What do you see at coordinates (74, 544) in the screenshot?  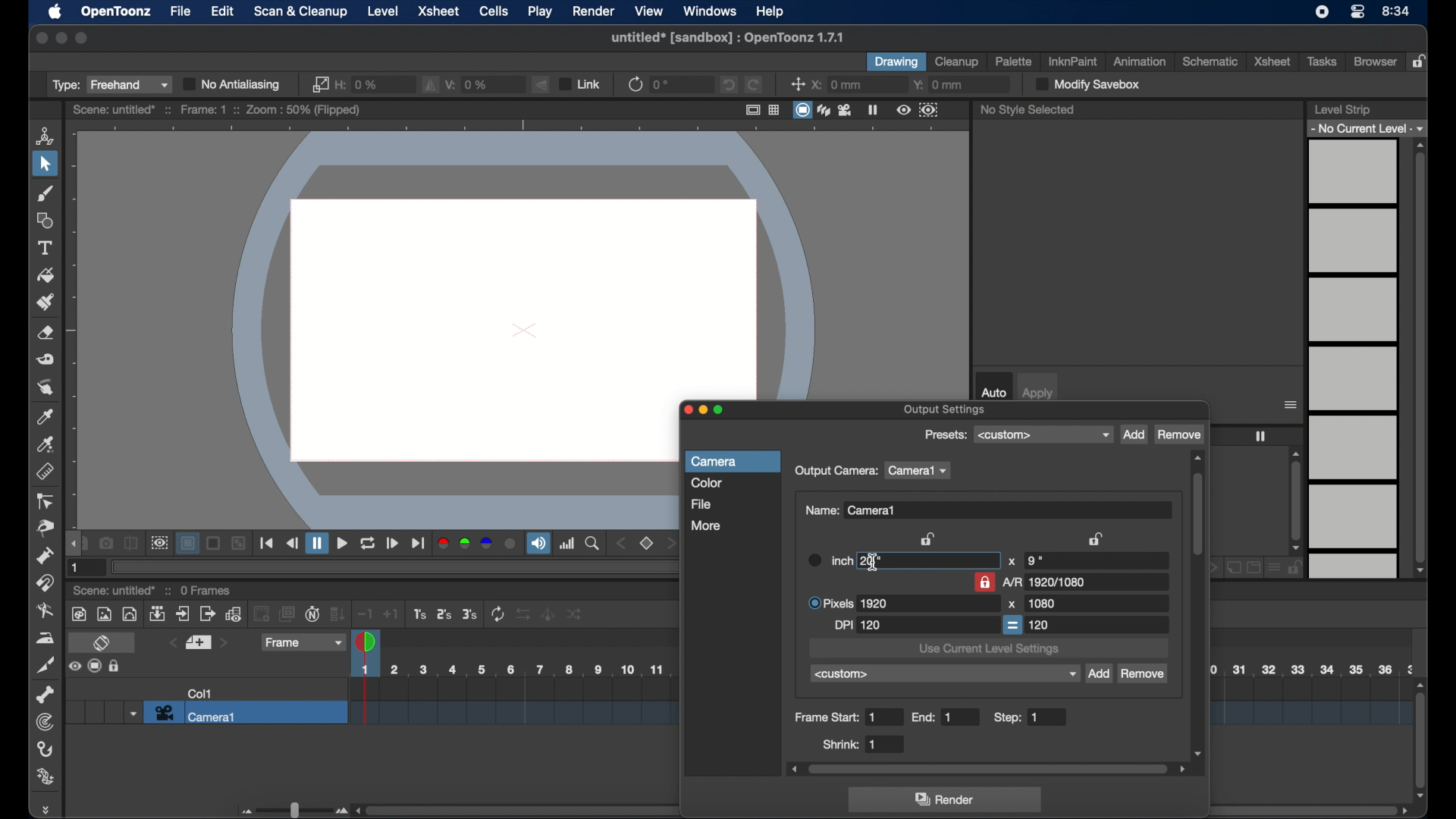 I see `draghandle` at bounding box center [74, 544].